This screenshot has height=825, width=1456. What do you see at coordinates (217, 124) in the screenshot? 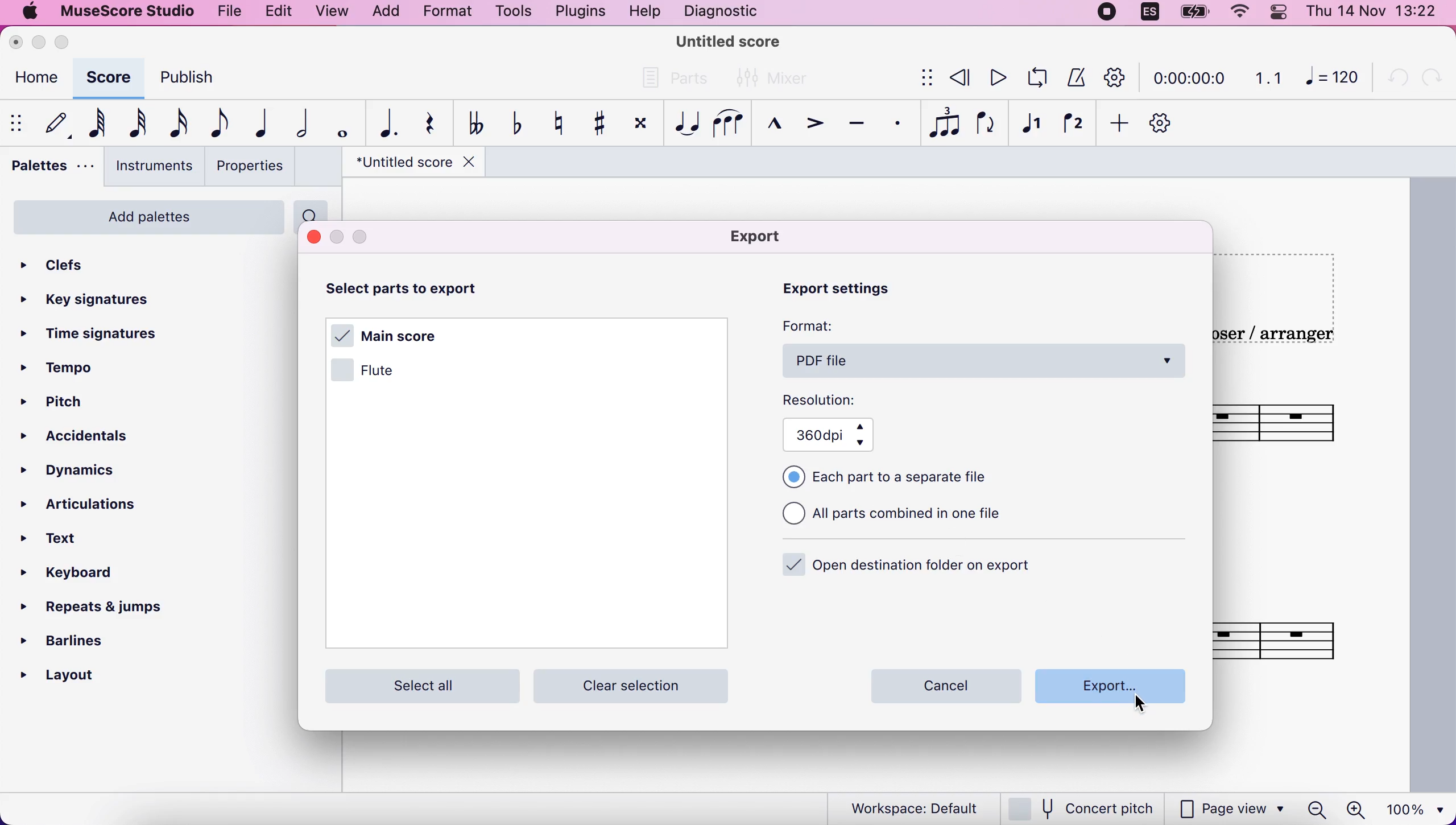
I see `eight note` at bounding box center [217, 124].